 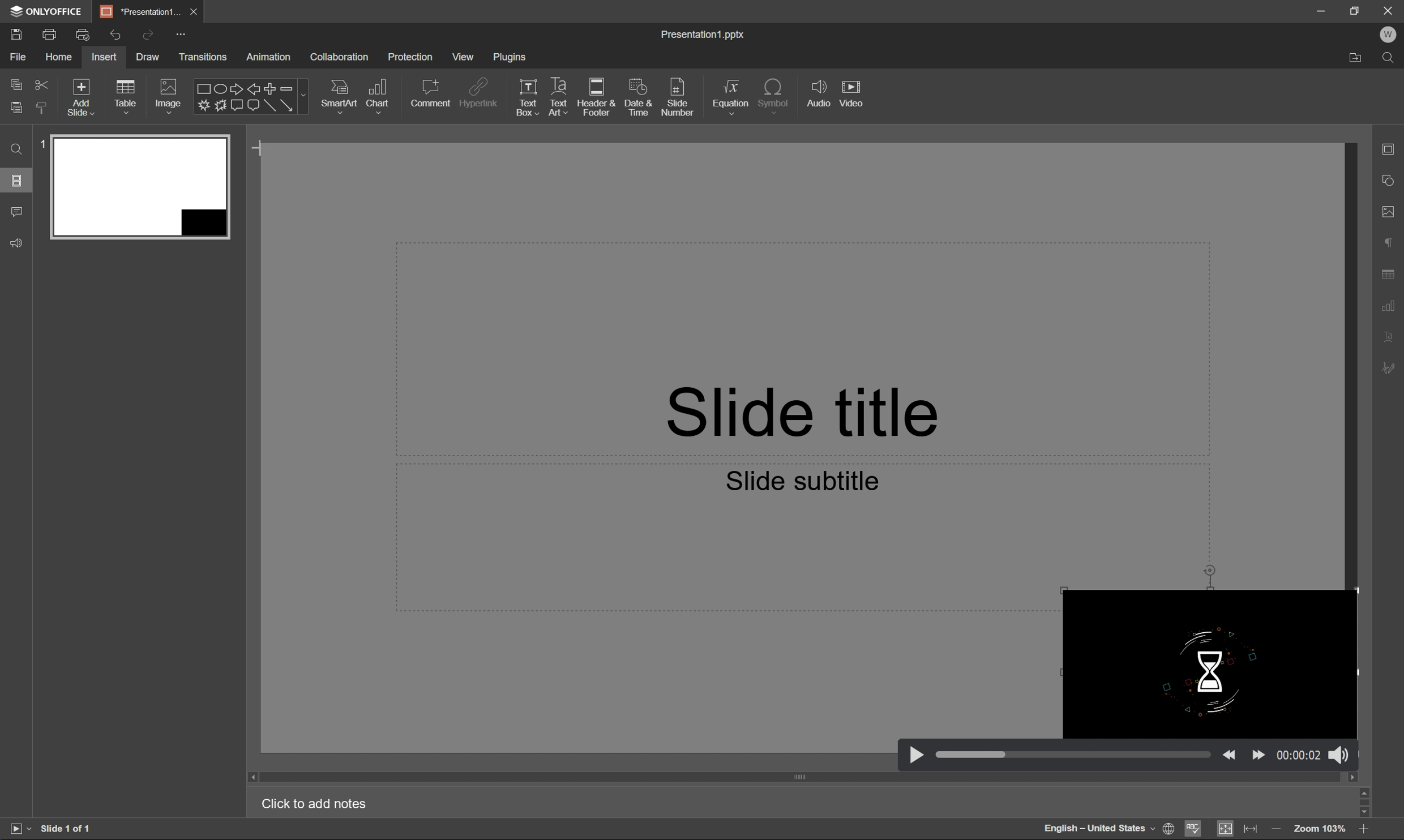 I want to click on protection, so click(x=413, y=56).